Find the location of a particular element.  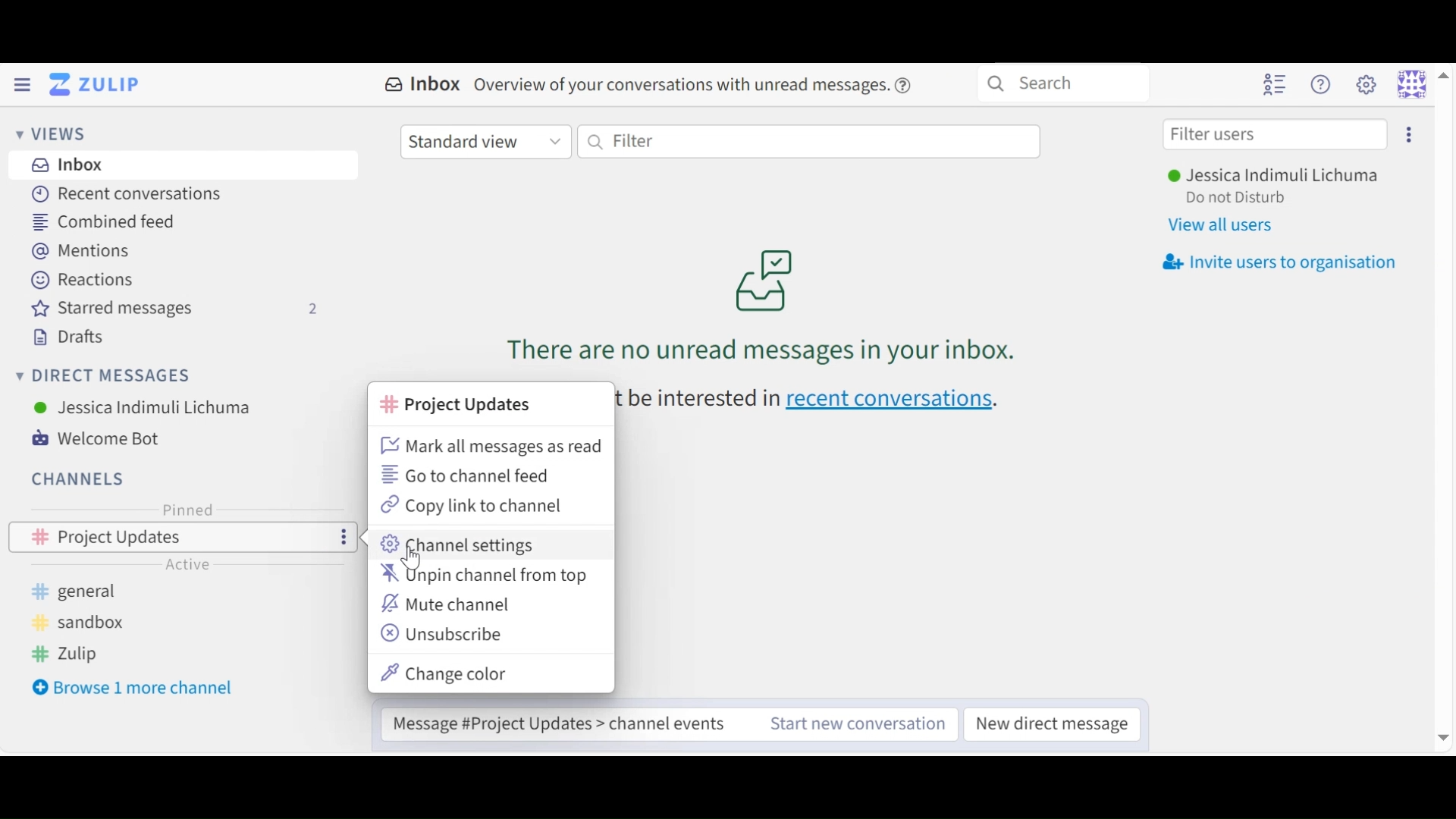

Combined Feed is located at coordinates (108, 221).